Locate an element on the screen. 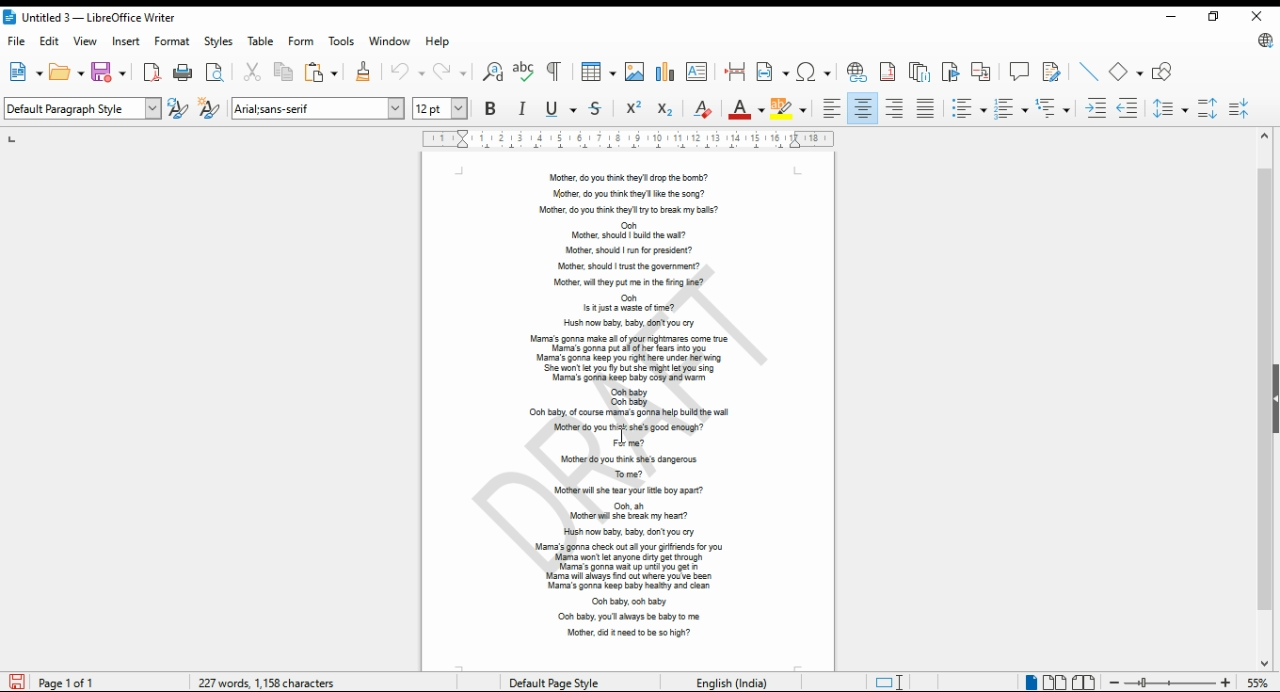 The image size is (1280, 692). update selected style is located at coordinates (179, 108).